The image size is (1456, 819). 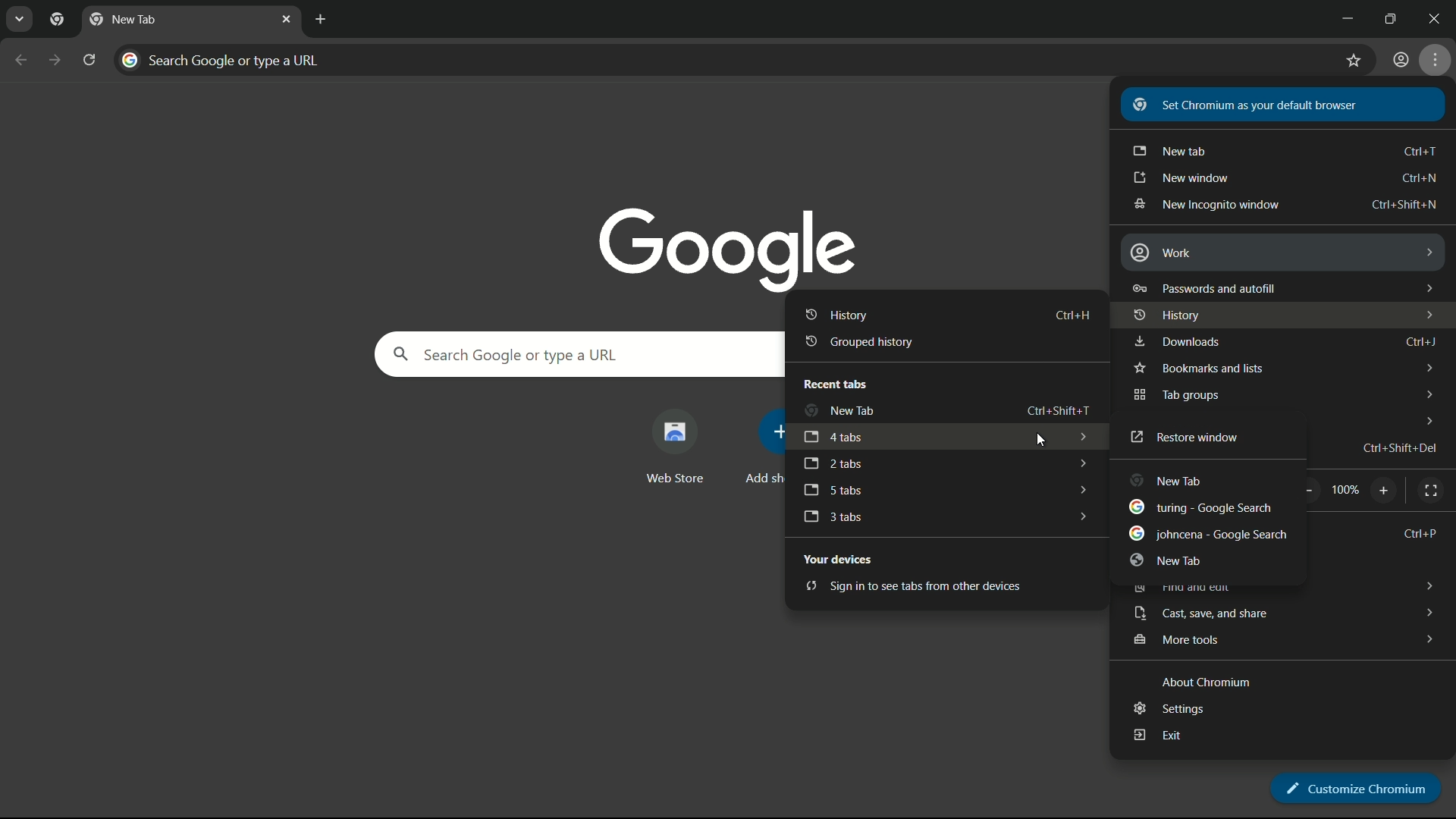 What do you see at coordinates (833, 384) in the screenshot?
I see `recent tabs` at bounding box center [833, 384].